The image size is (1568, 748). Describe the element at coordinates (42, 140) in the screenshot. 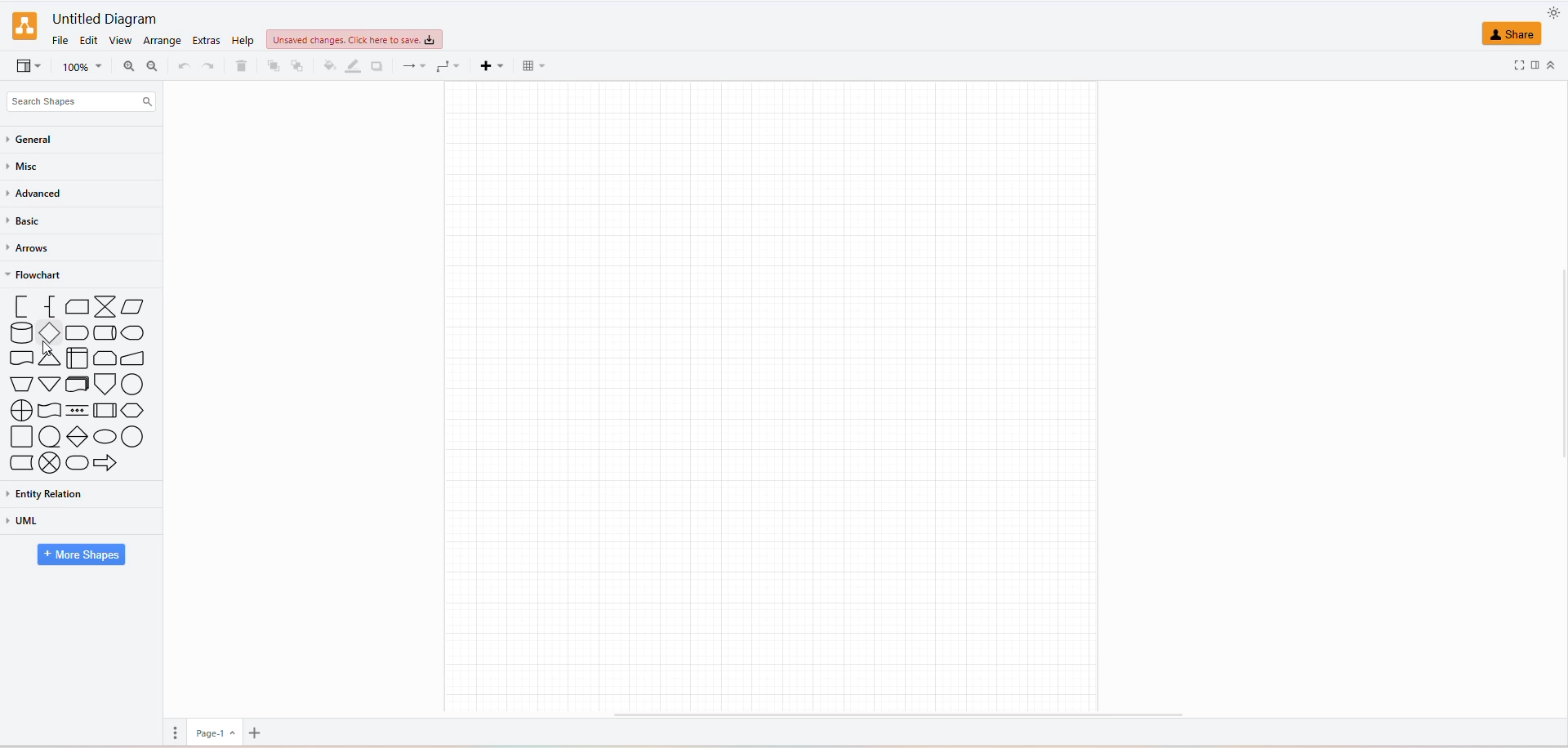

I see `GENERAL` at that location.